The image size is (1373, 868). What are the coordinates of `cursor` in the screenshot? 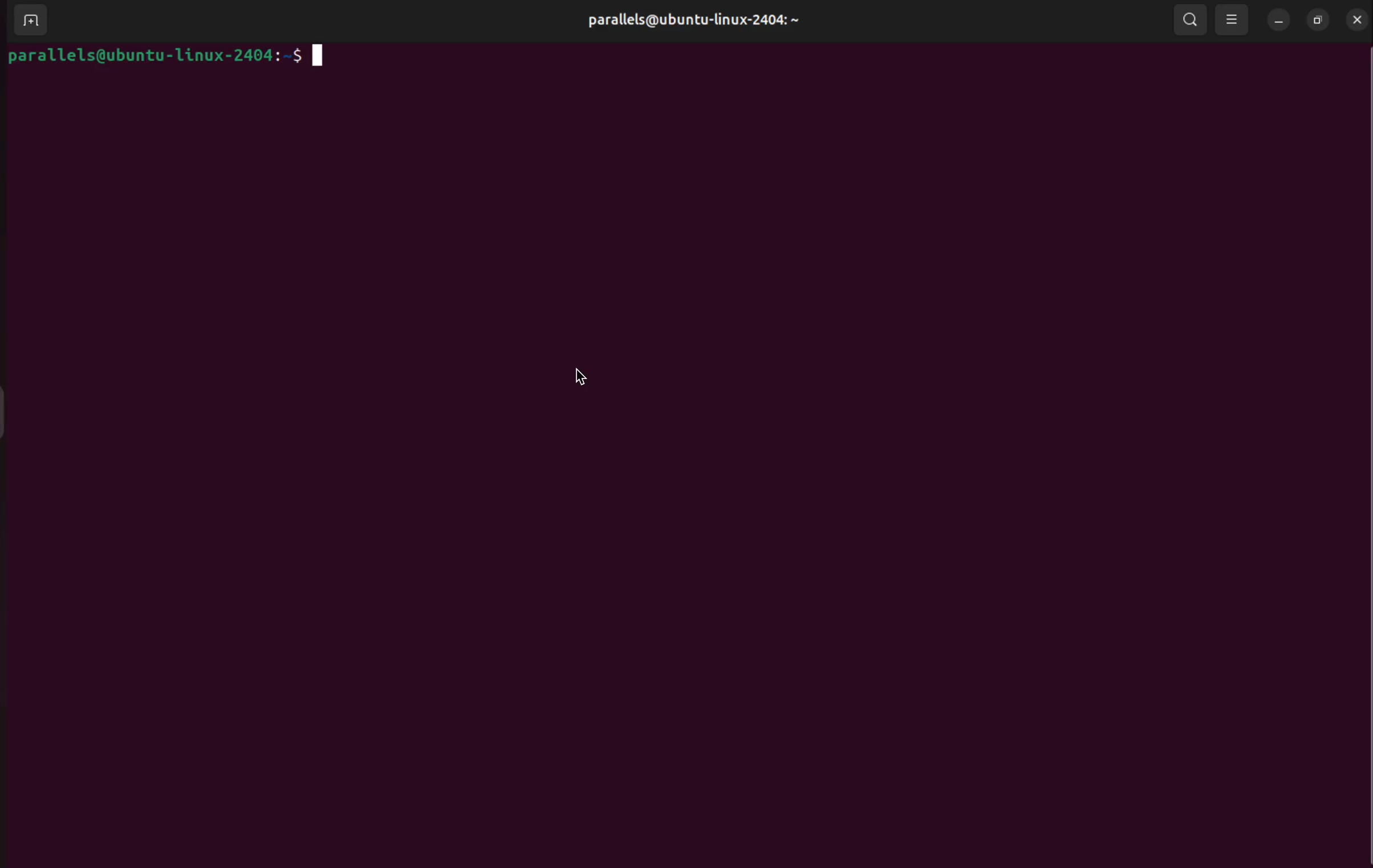 It's located at (584, 373).